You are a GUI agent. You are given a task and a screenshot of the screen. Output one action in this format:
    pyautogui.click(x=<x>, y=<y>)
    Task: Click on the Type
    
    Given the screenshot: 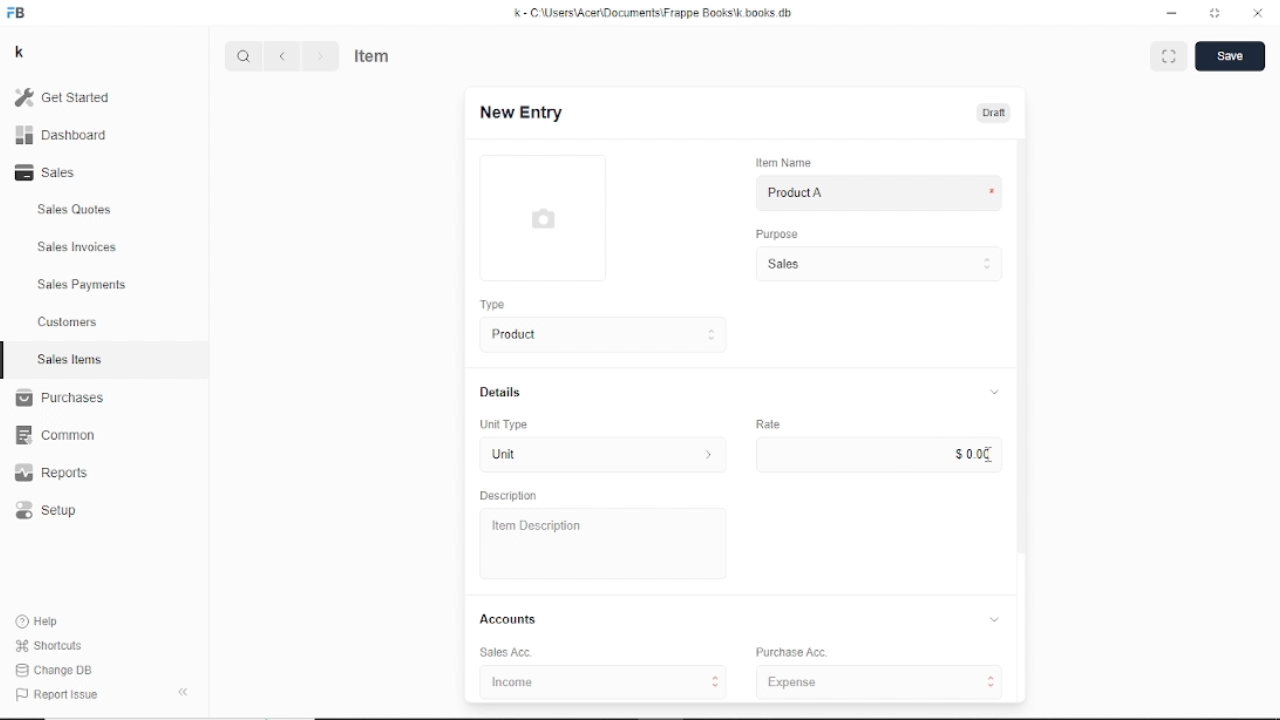 What is the action you would take?
    pyautogui.click(x=492, y=304)
    